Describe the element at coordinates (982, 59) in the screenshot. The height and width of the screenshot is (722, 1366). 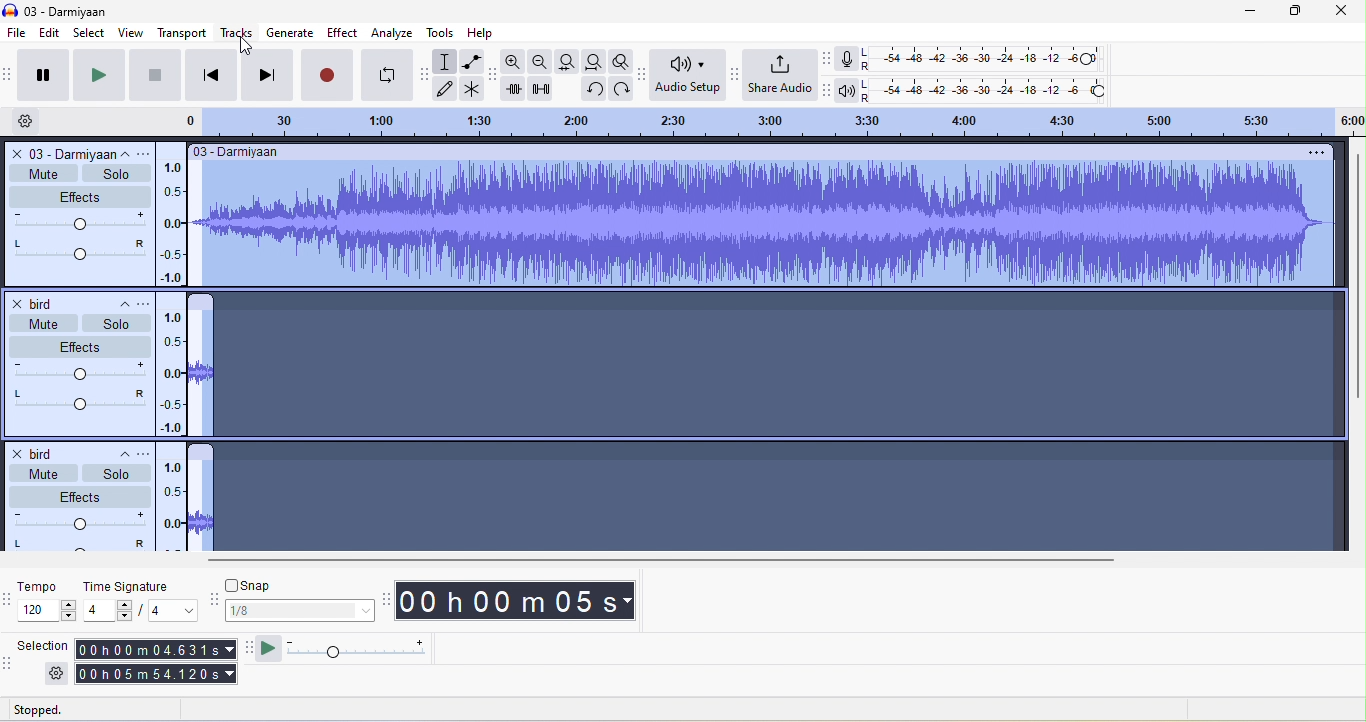
I see `recording level` at that location.